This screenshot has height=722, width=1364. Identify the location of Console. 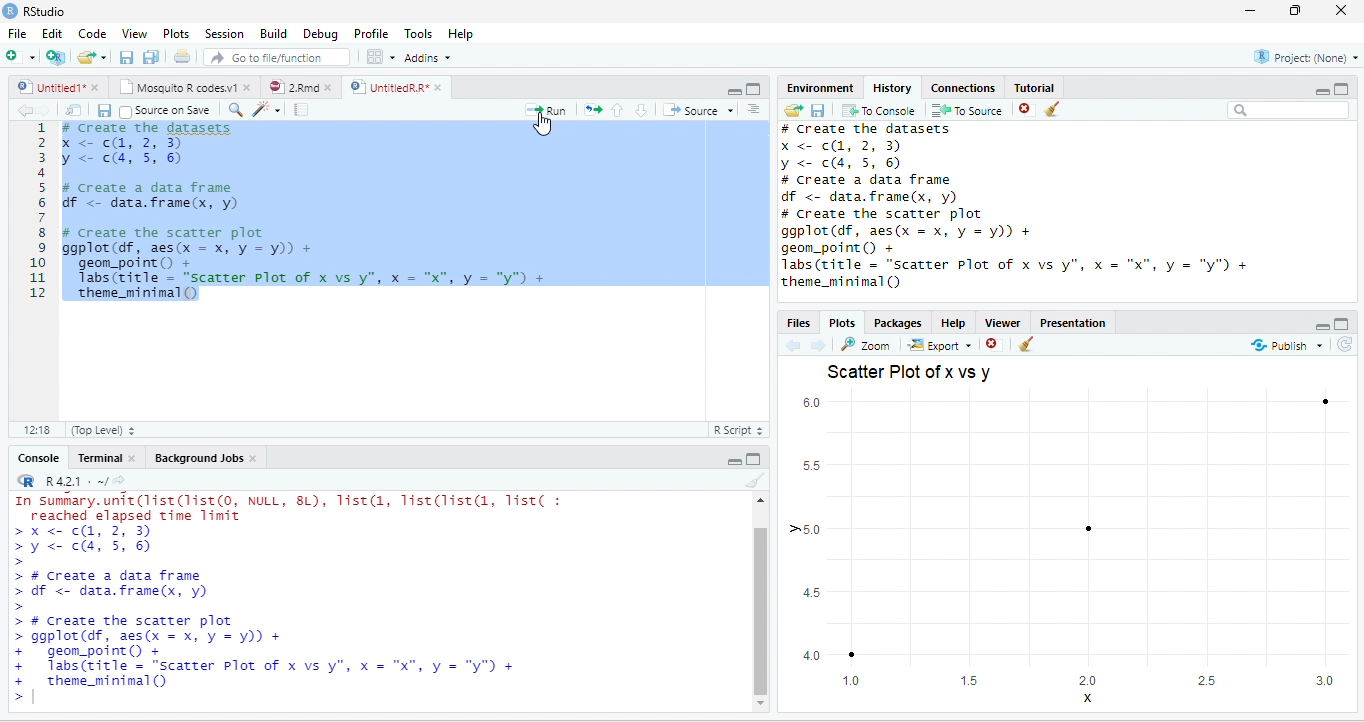
(38, 458).